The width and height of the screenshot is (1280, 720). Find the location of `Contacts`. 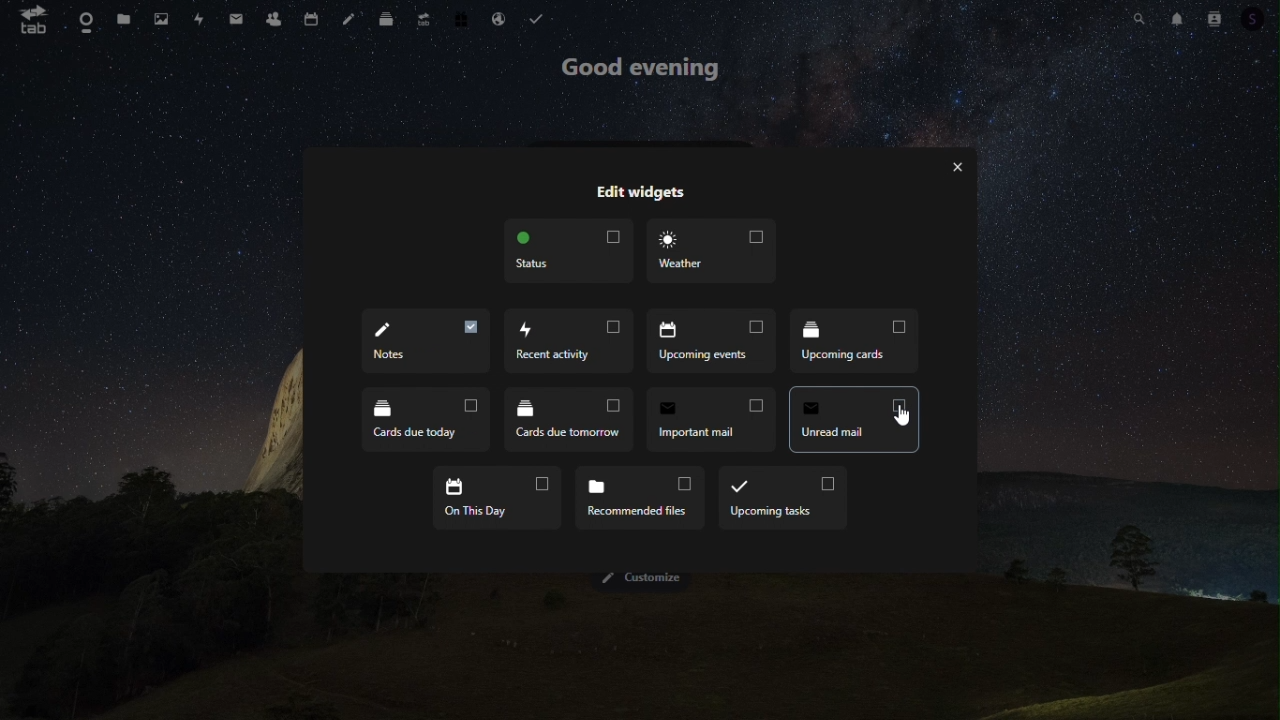

Contacts is located at coordinates (274, 19).